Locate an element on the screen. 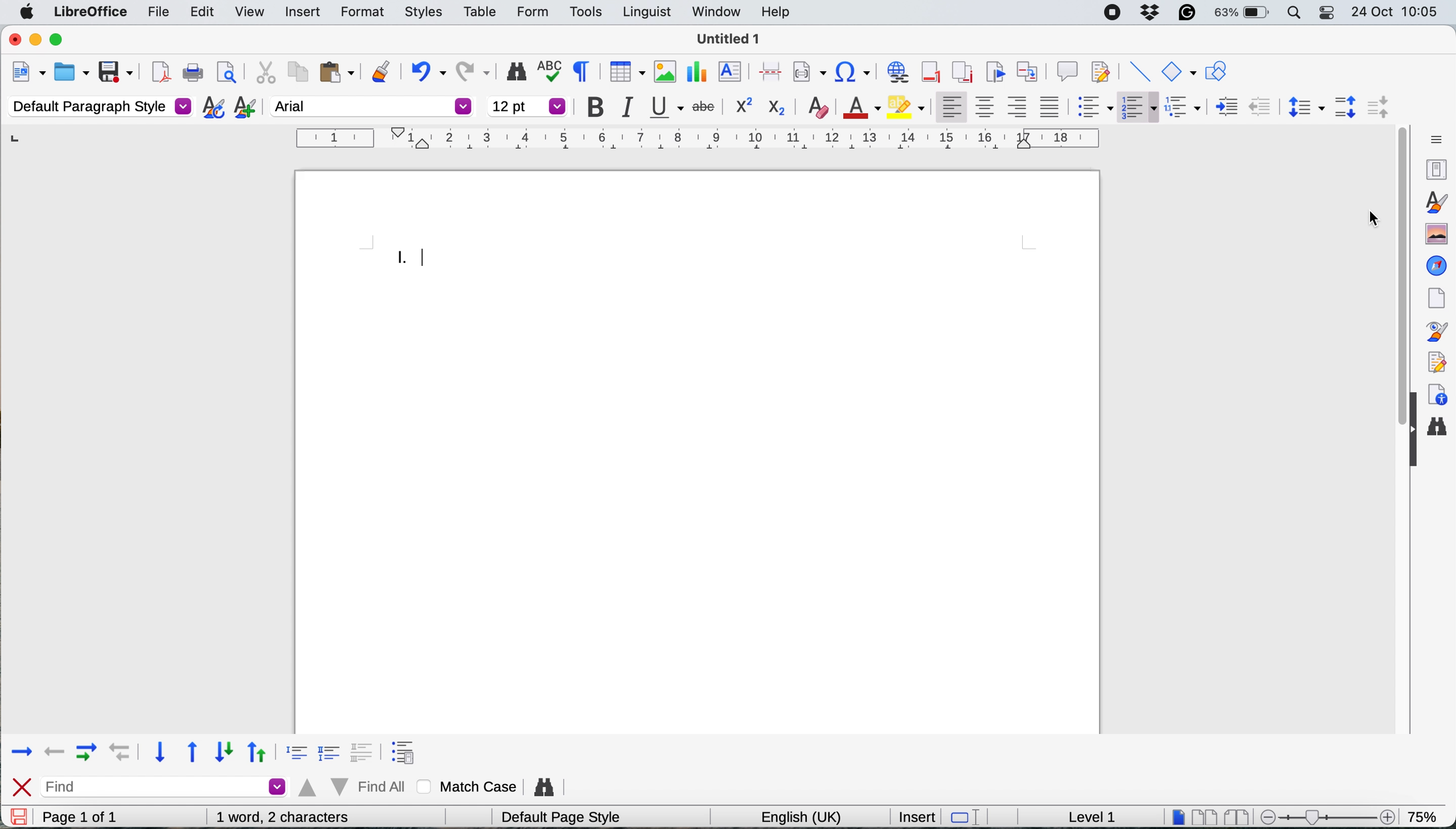 Image resolution: width=1456 pixels, height=829 pixels. english(uk) is located at coordinates (811, 816).